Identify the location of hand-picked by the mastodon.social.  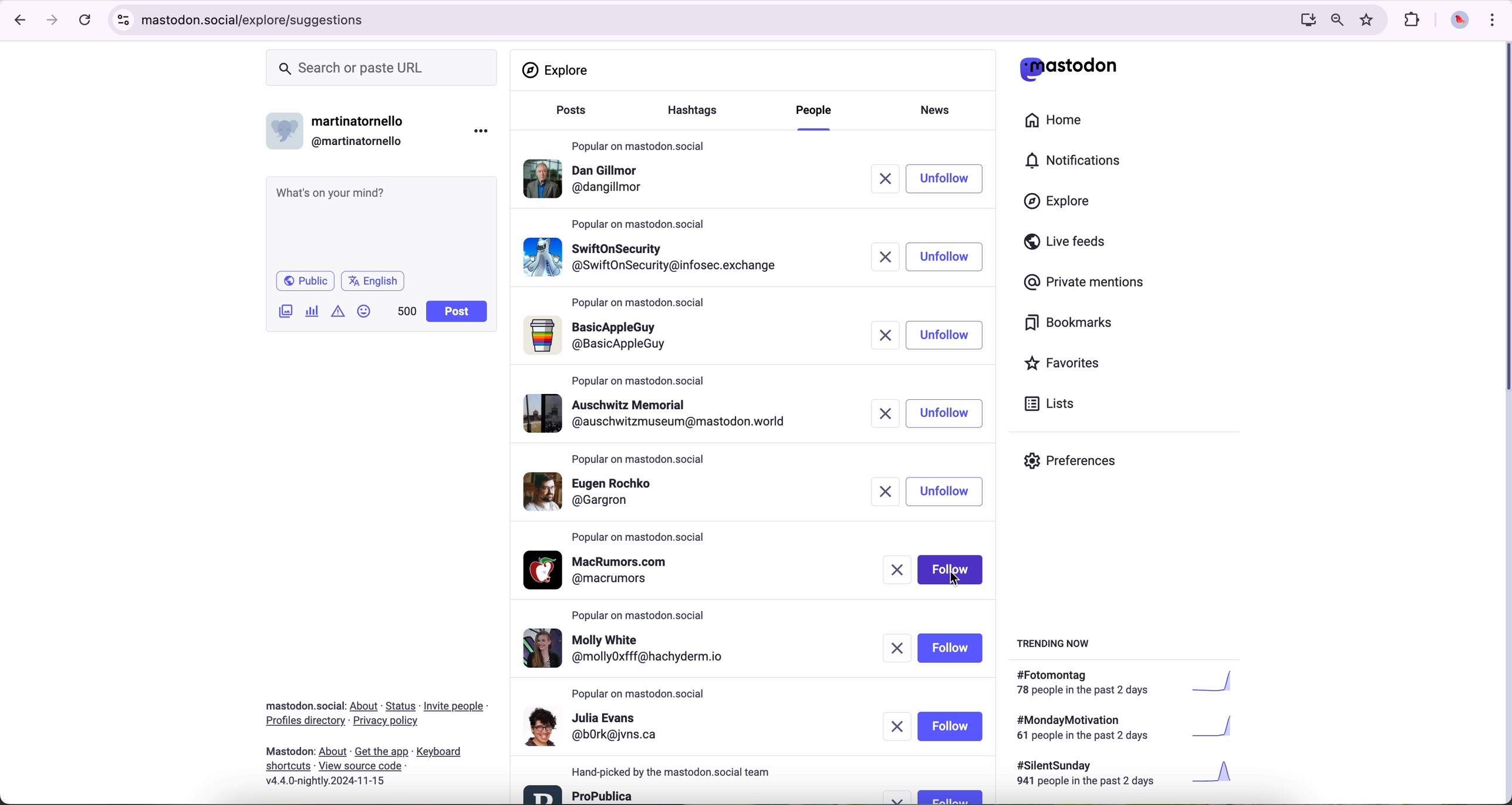
(679, 772).